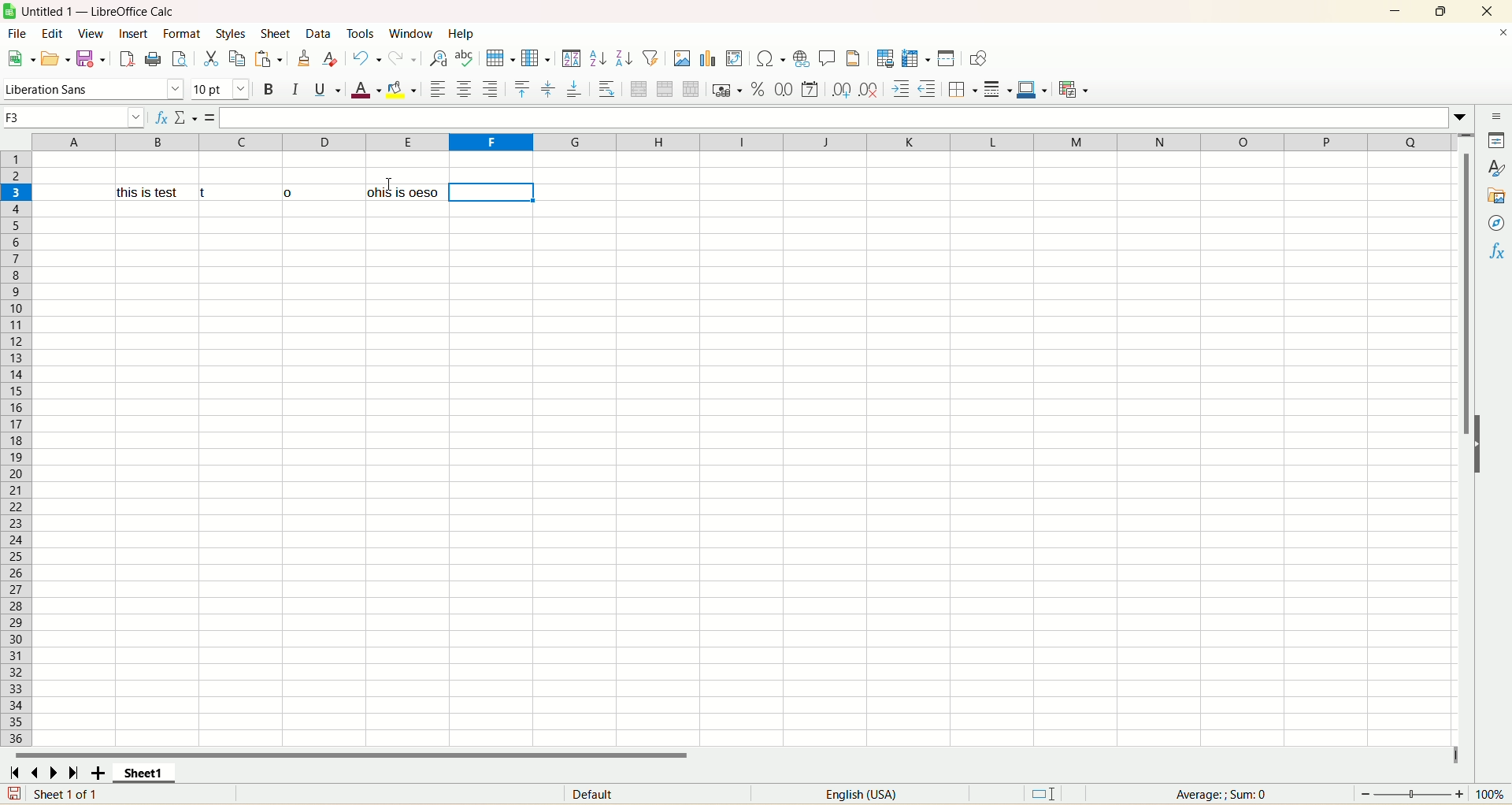  What do you see at coordinates (276, 32) in the screenshot?
I see `sheets` at bounding box center [276, 32].